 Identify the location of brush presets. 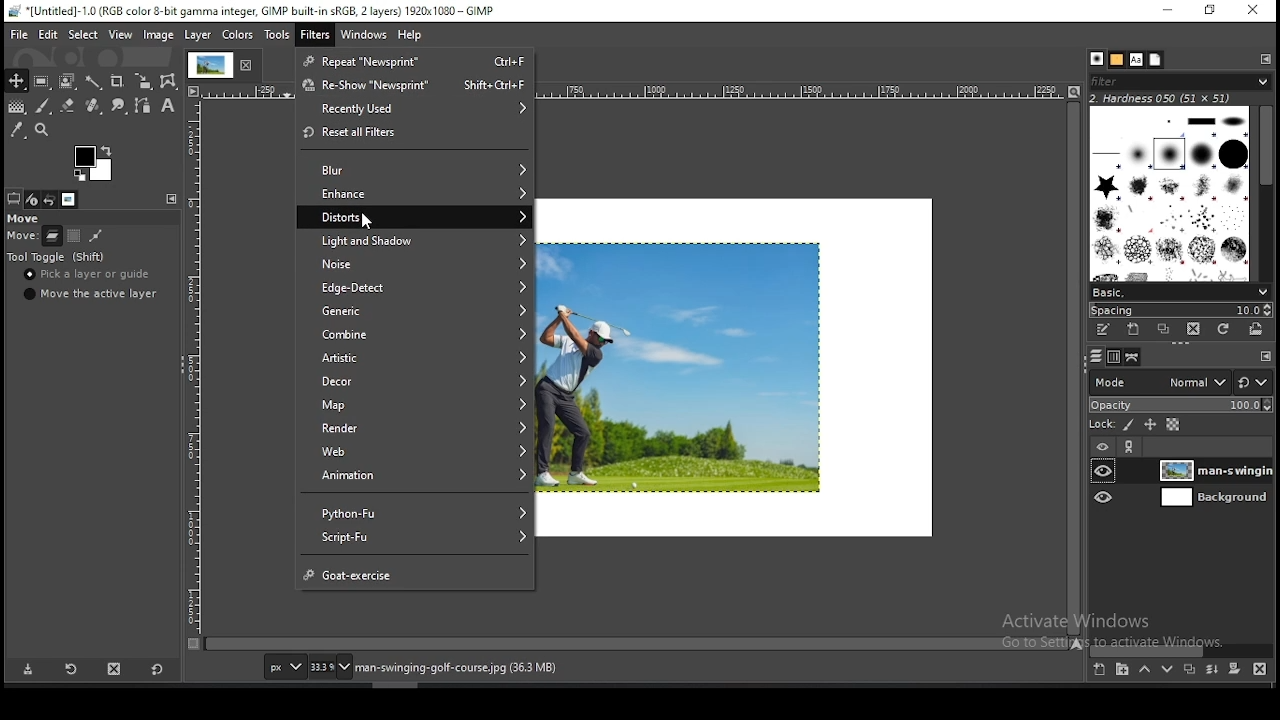
(1177, 291).